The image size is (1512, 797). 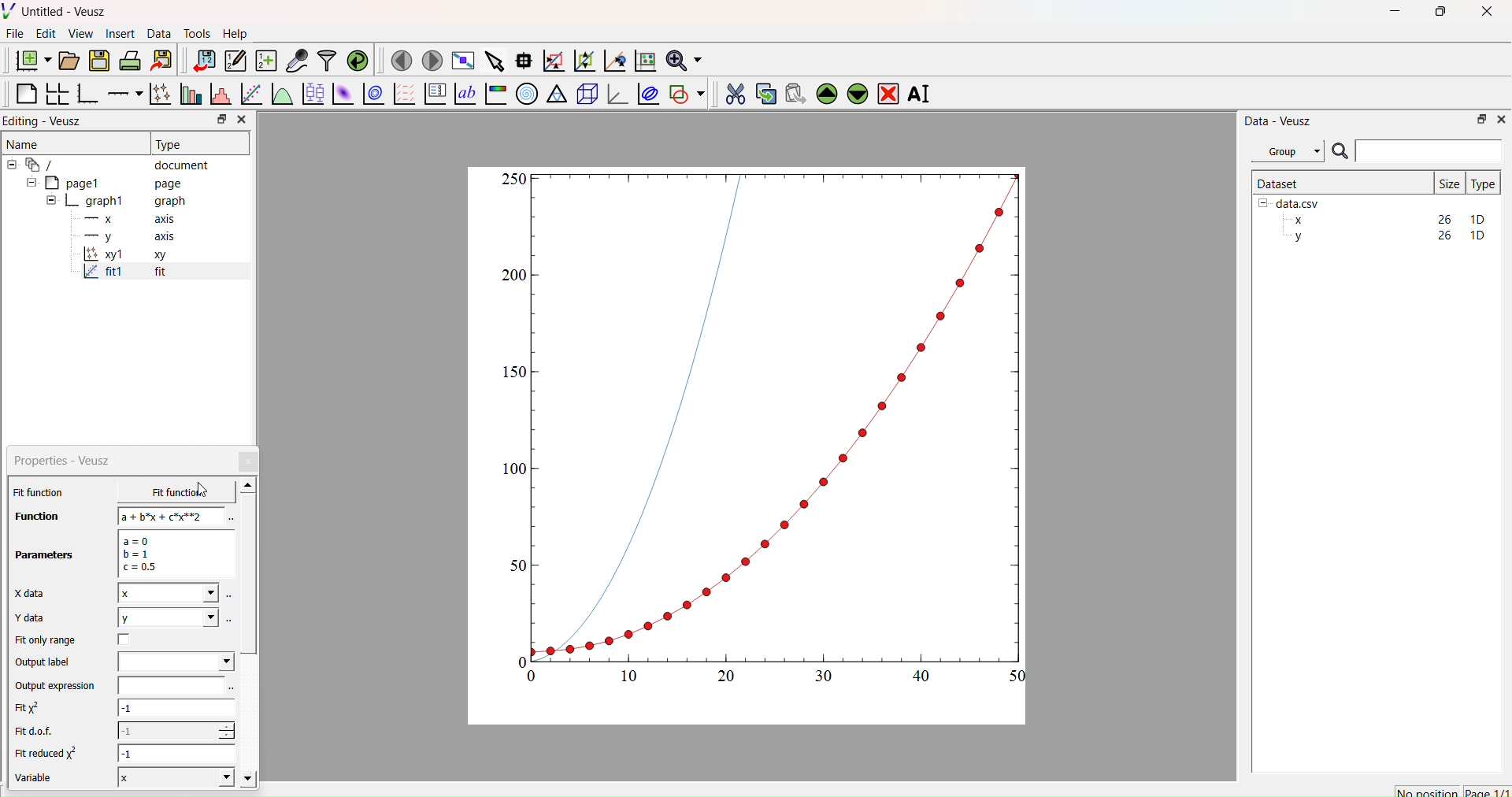 What do you see at coordinates (793, 91) in the screenshot?
I see `Paste` at bounding box center [793, 91].